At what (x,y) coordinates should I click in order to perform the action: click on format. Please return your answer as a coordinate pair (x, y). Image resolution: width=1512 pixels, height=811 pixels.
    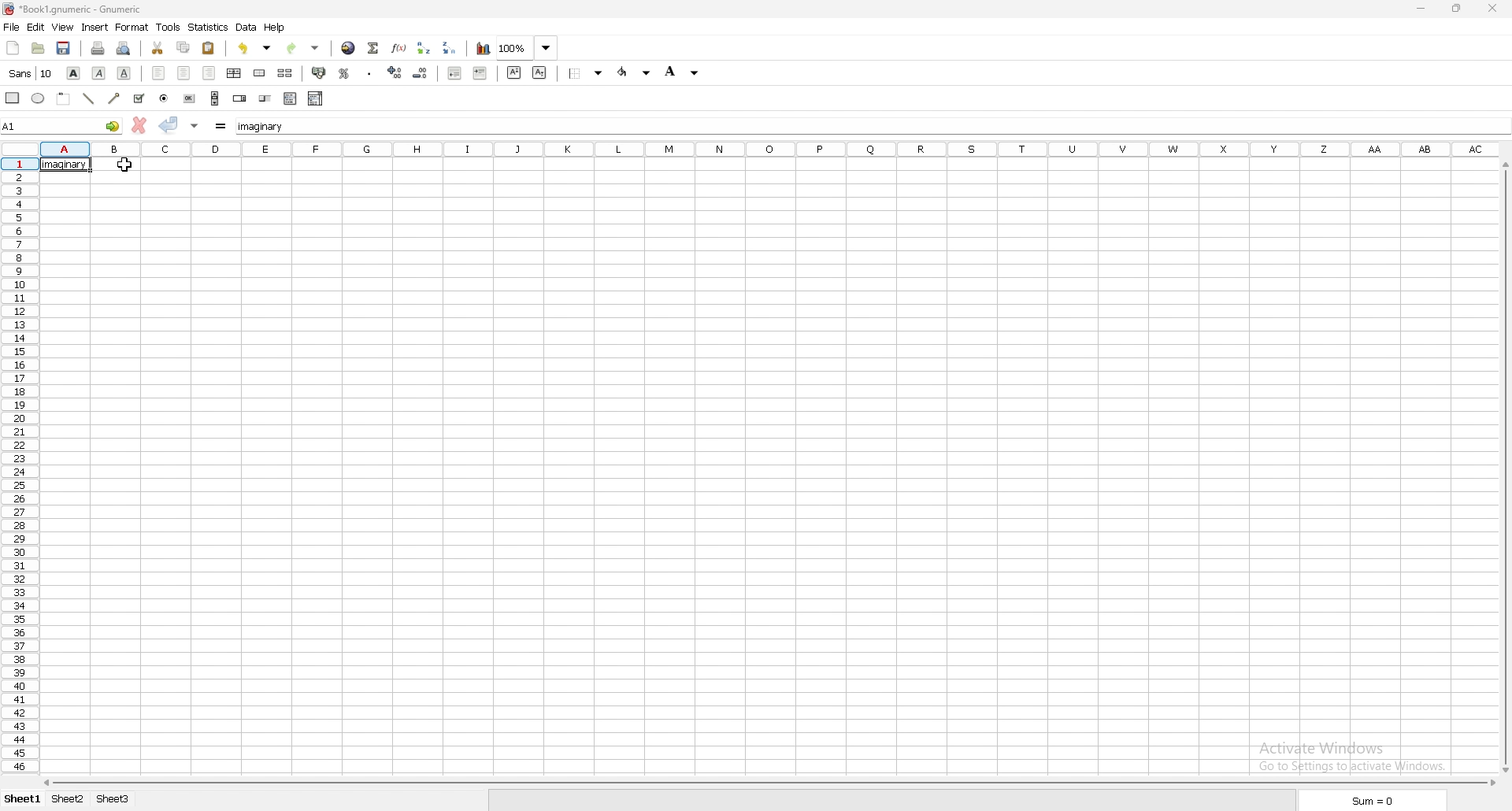
    Looking at the image, I should click on (132, 28).